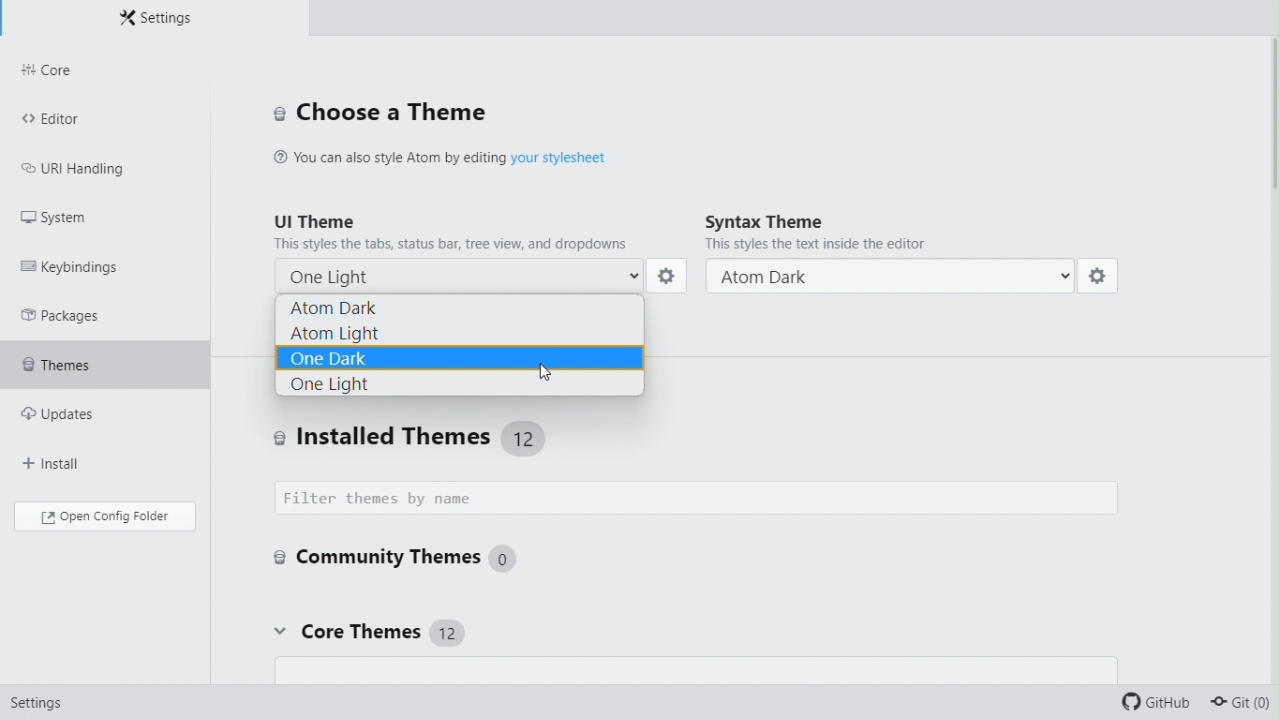 Image resolution: width=1280 pixels, height=720 pixels. Describe the element at coordinates (1242, 704) in the screenshot. I see `git` at that location.